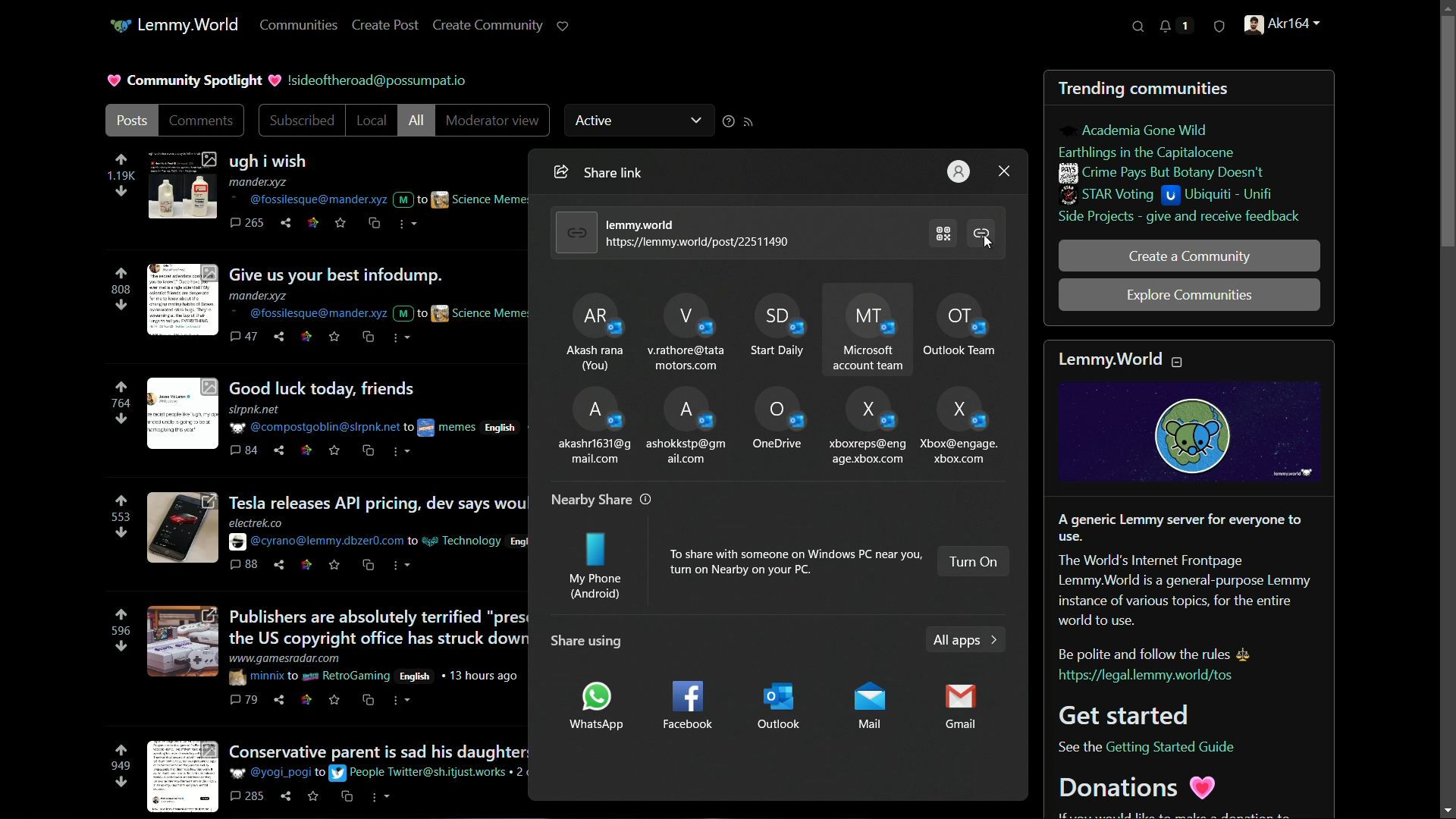 The width and height of the screenshot is (1456, 819). What do you see at coordinates (335, 700) in the screenshot?
I see `save` at bounding box center [335, 700].